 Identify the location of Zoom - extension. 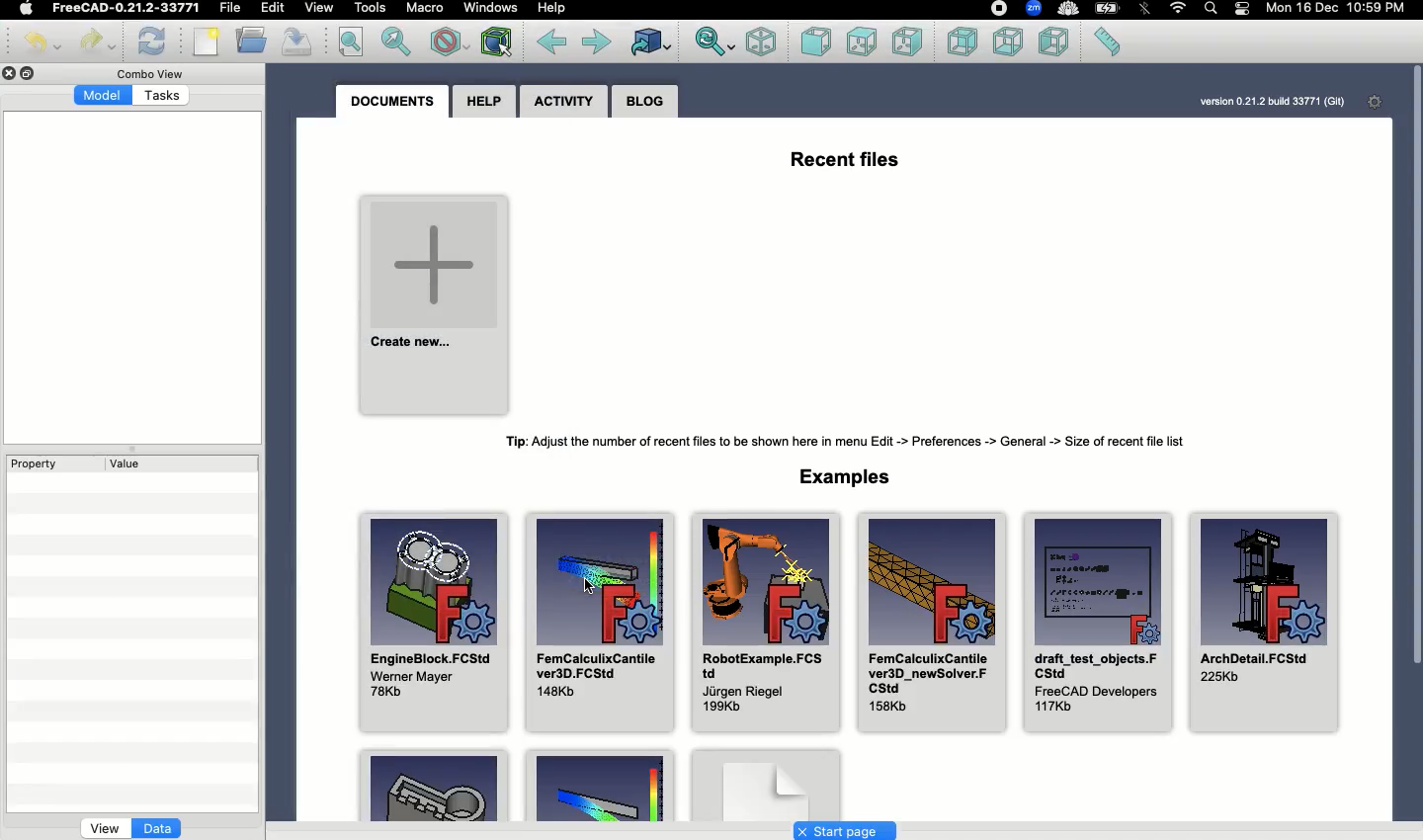
(1033, 10).